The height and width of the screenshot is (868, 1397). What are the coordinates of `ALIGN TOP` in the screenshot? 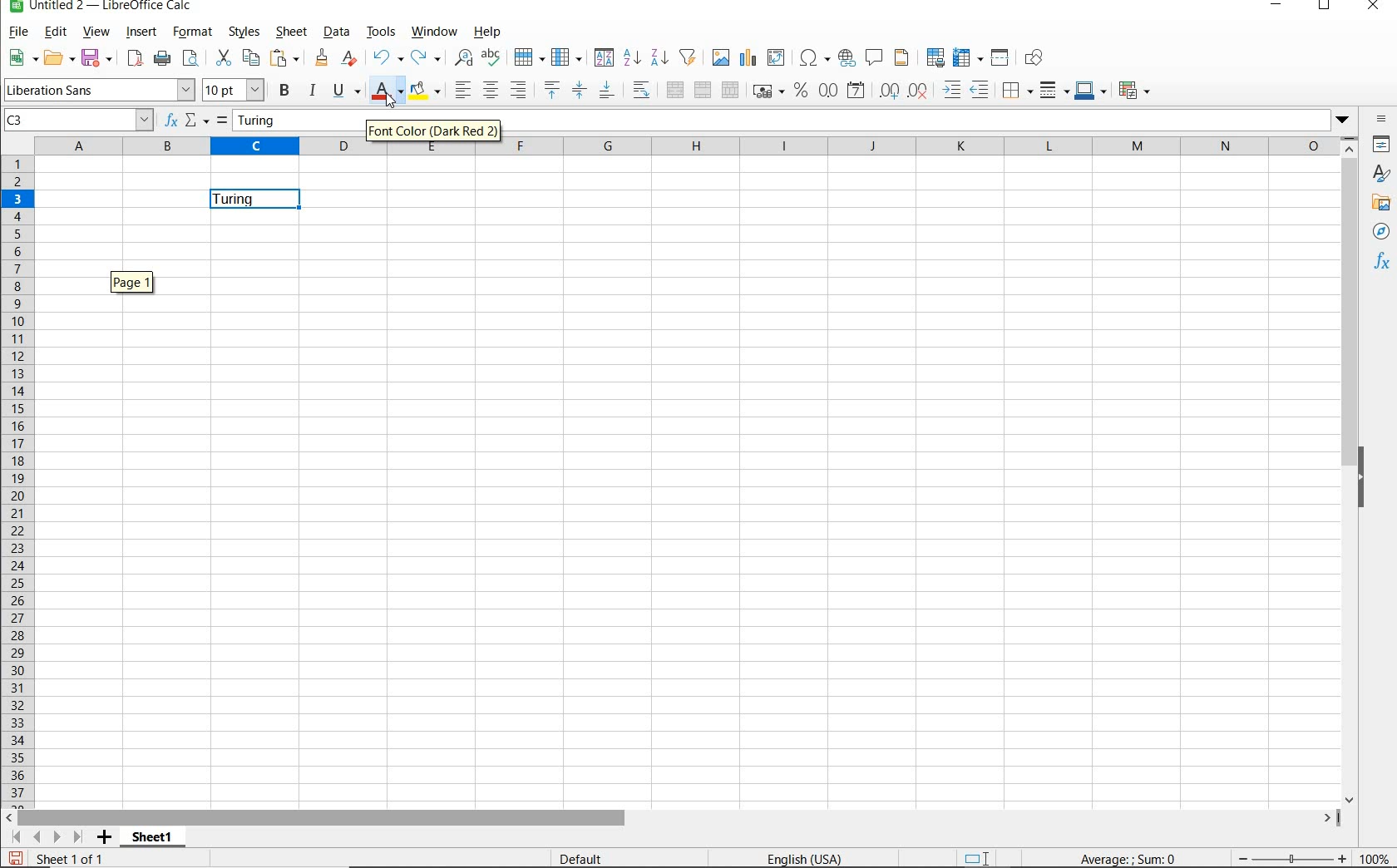 It's located at (552, 90).